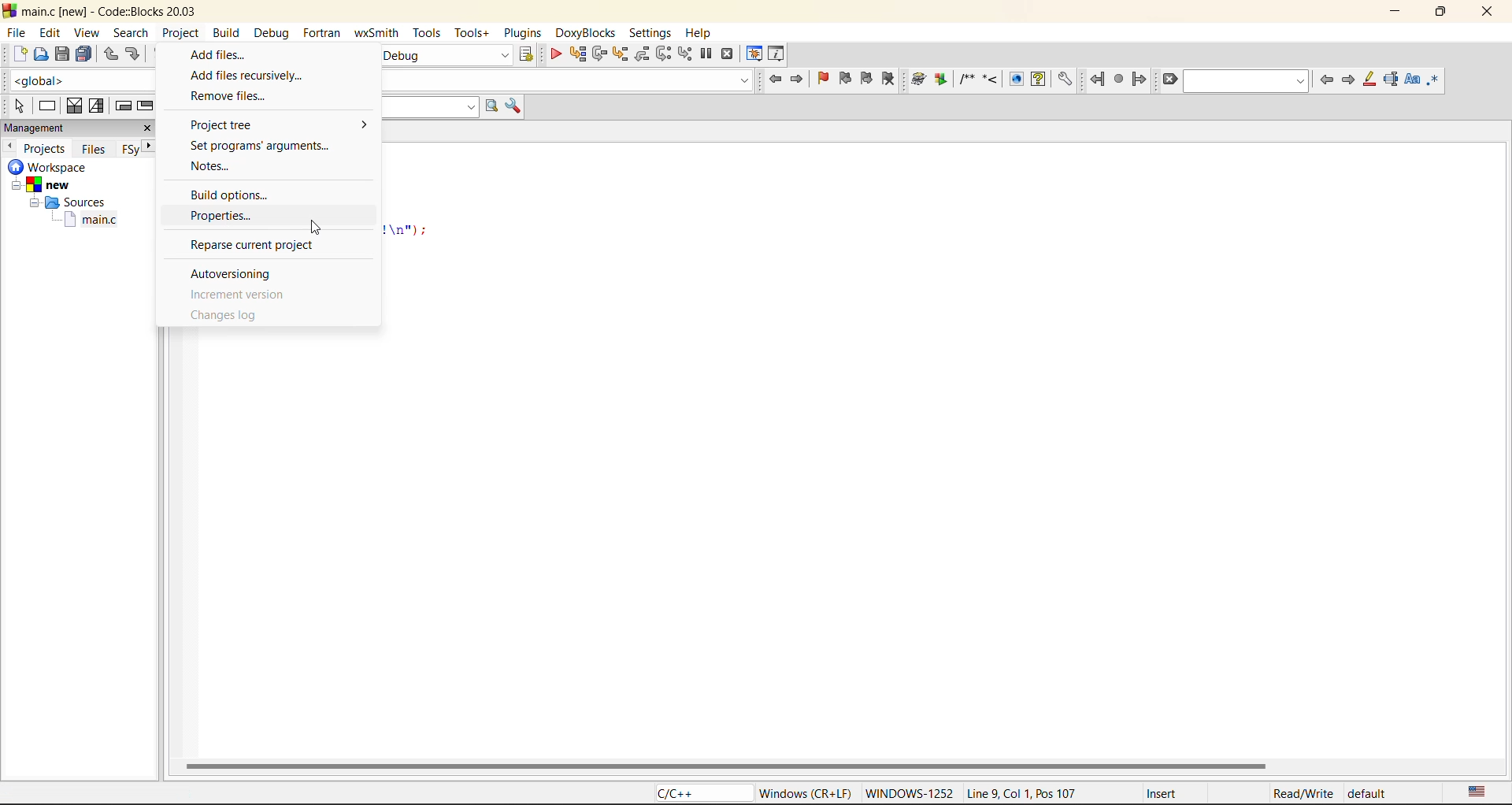  I want to click on settings, so click(651, 34).